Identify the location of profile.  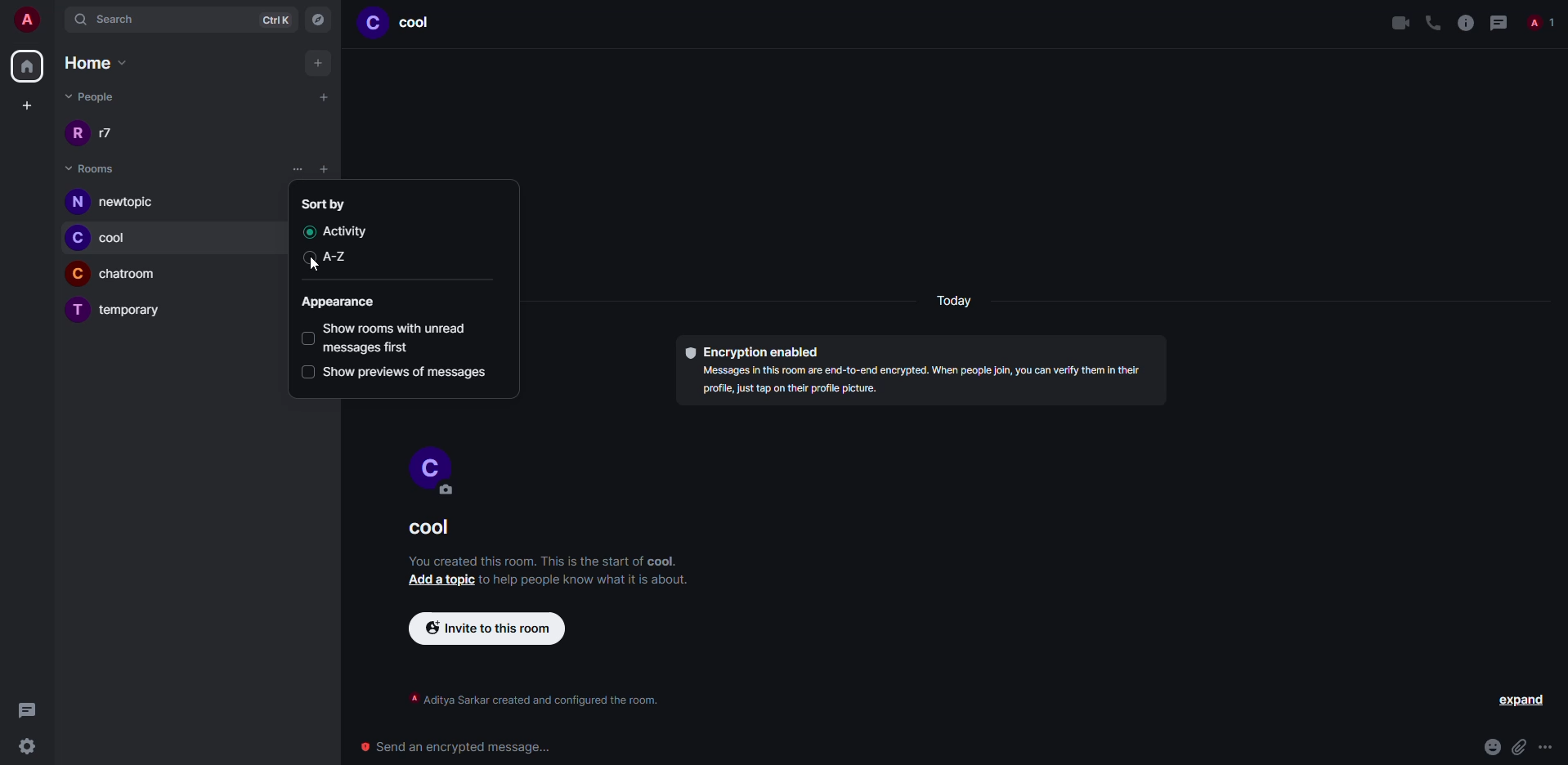
(373, 24).